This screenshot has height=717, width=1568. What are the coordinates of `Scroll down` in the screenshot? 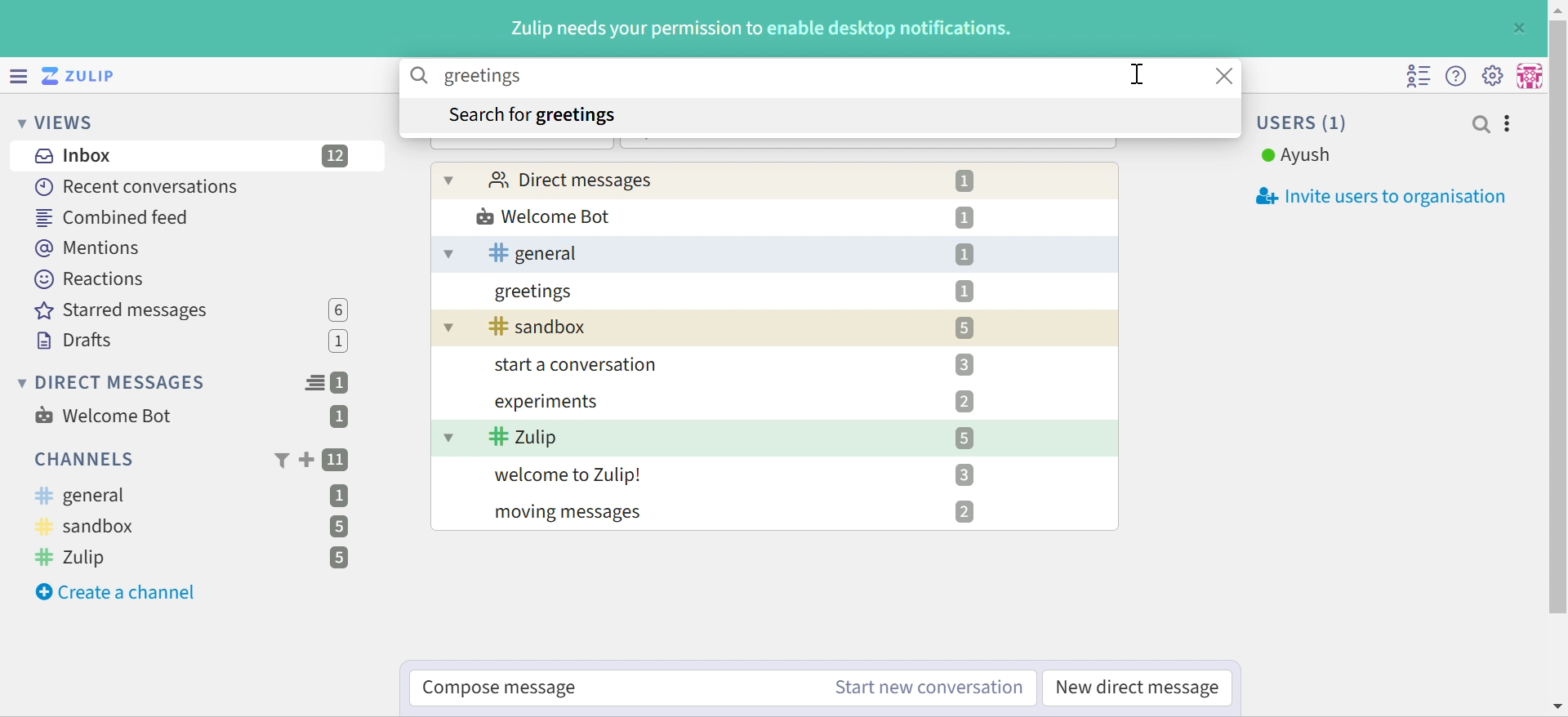 It's located at (1558, 706).